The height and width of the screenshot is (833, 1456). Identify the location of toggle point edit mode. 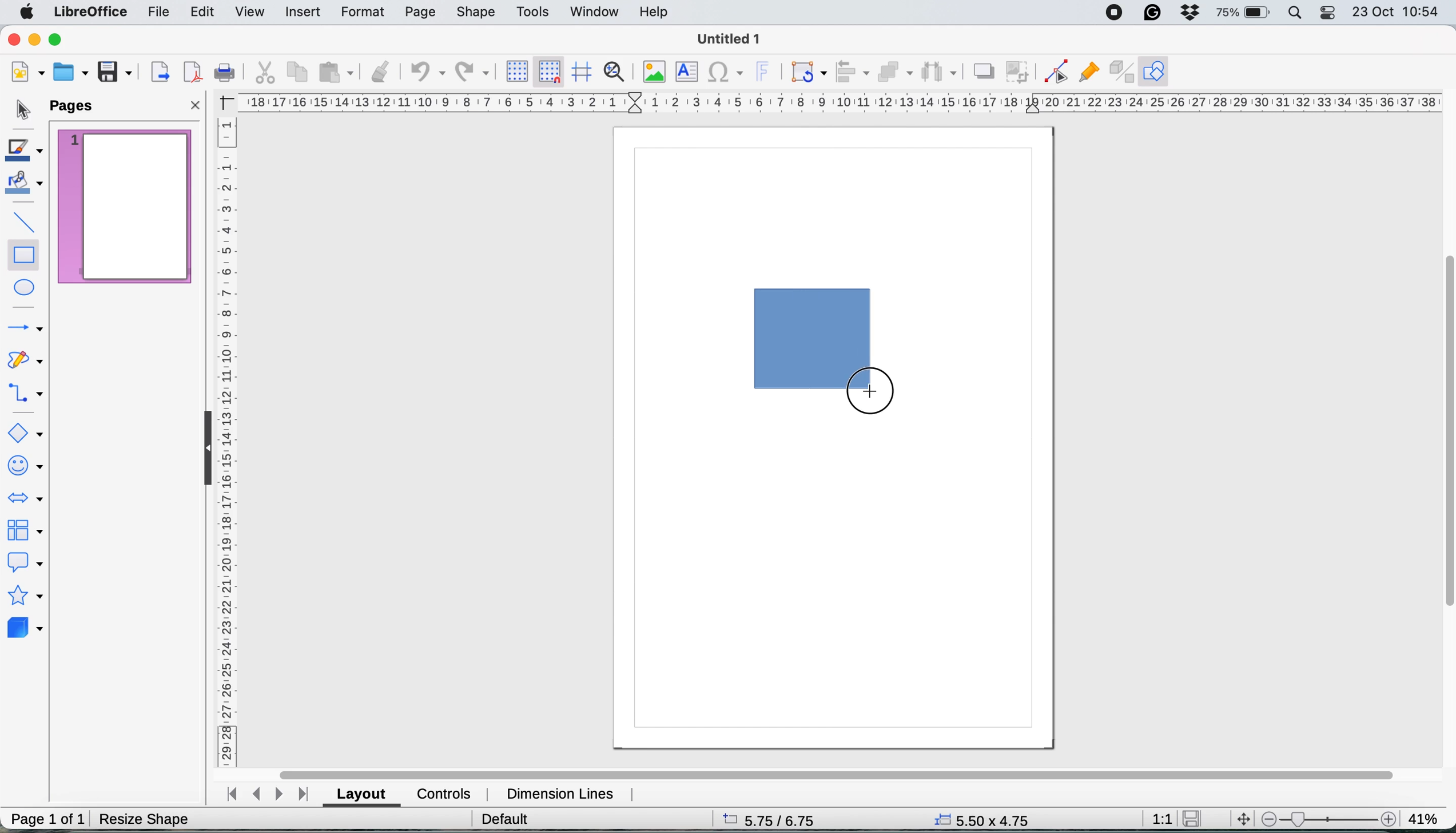
(1051, 73).